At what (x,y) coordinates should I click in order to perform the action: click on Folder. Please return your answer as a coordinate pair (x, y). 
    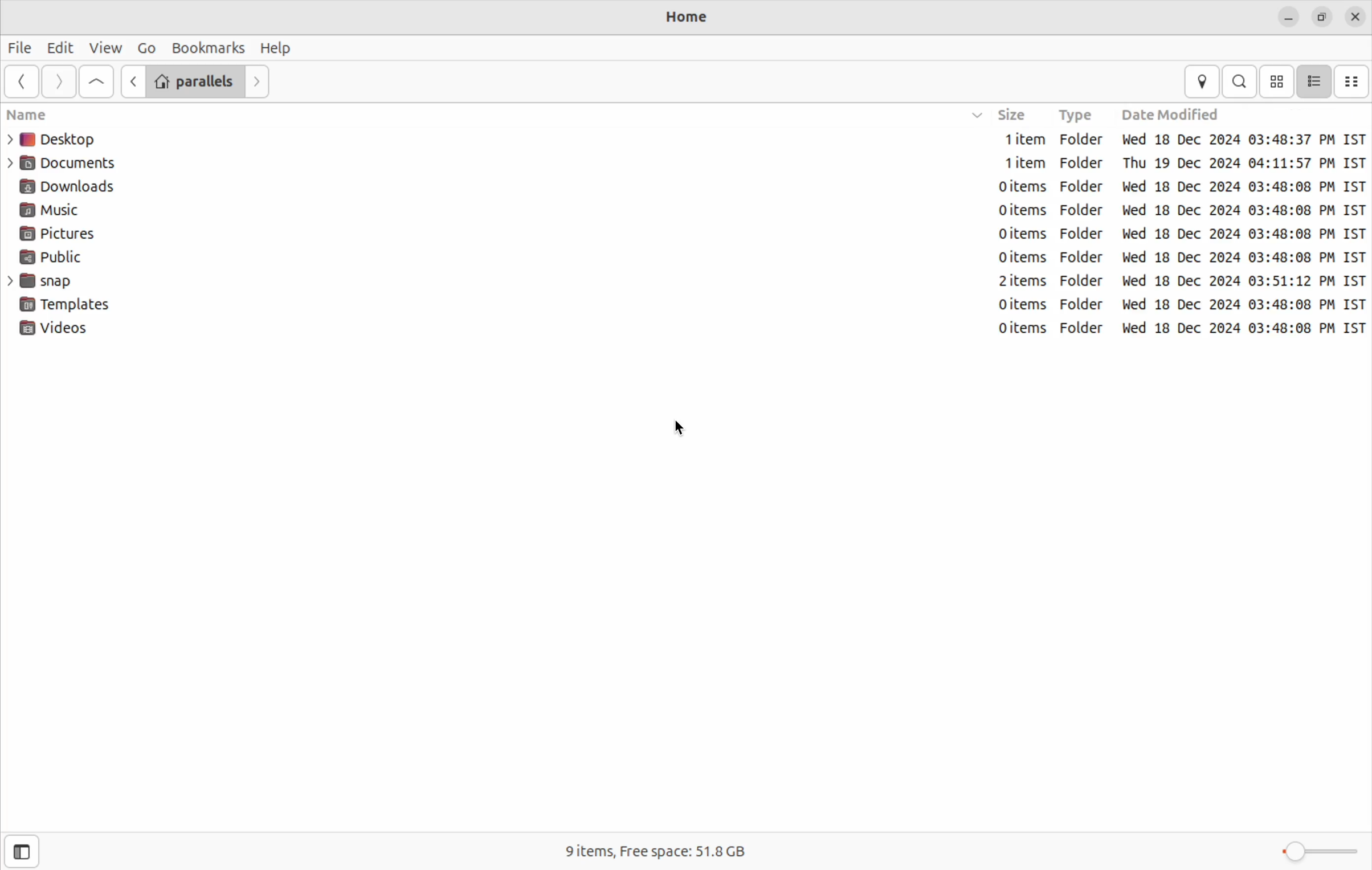
    Looking at the image, I should click on (1083, 279).